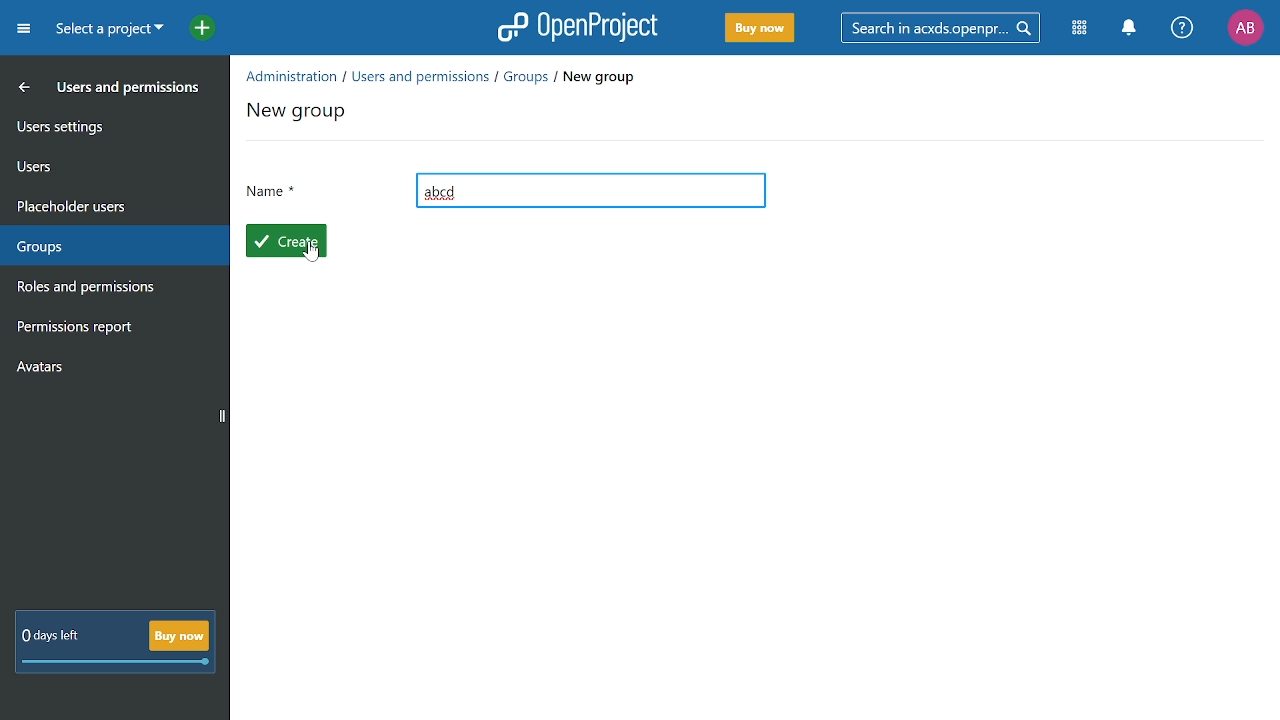 This screenshot has width=1280, height=720. What do you see at coordinates (117, 663) in the screenshot?
I see `Days left in scale` at bounding box center [117, 663].